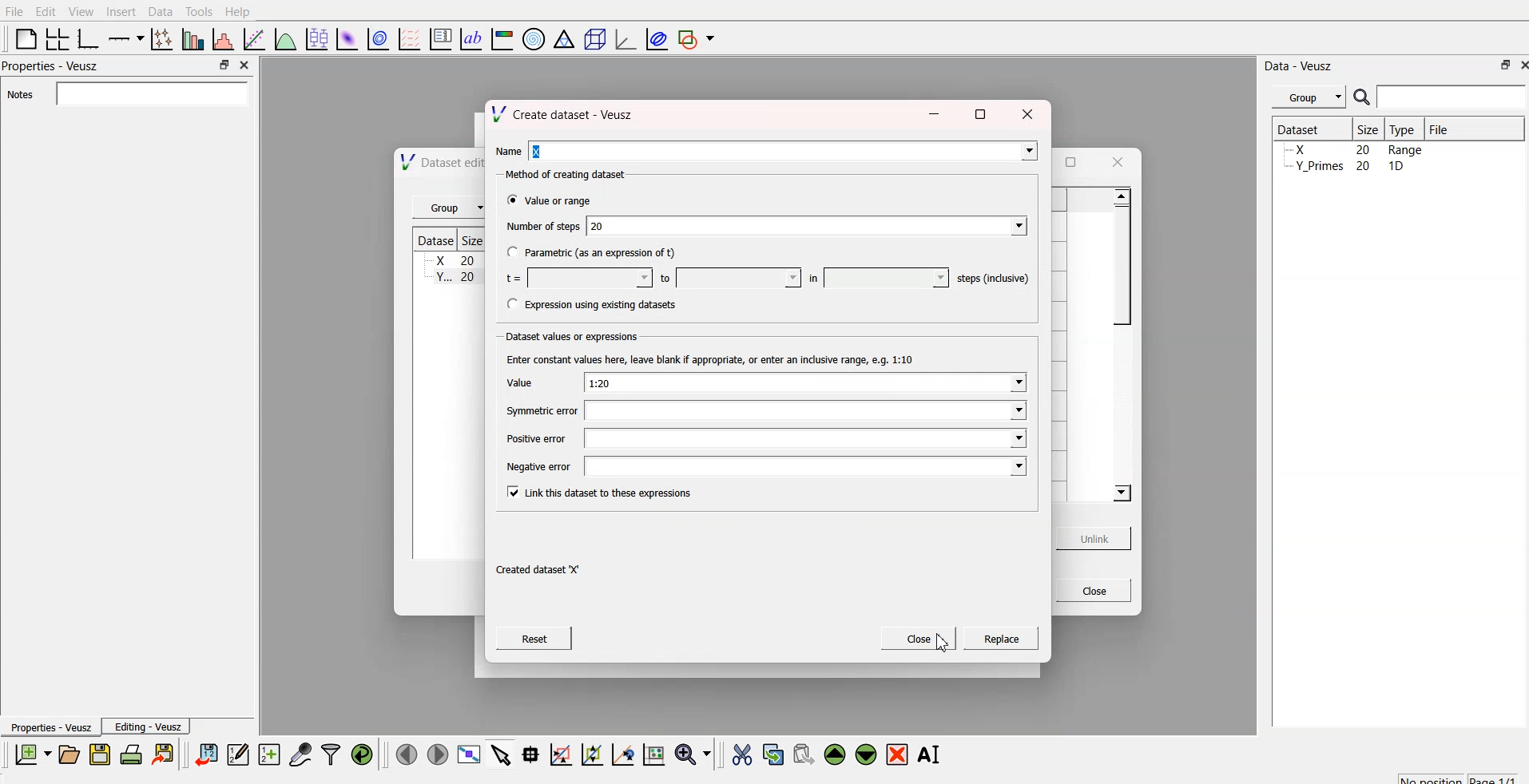 The height and width of the screenshot is (784, 1529). Describe the element at coordinates (761, 382) in the screenshot. I see `Value 1:20` at that location.